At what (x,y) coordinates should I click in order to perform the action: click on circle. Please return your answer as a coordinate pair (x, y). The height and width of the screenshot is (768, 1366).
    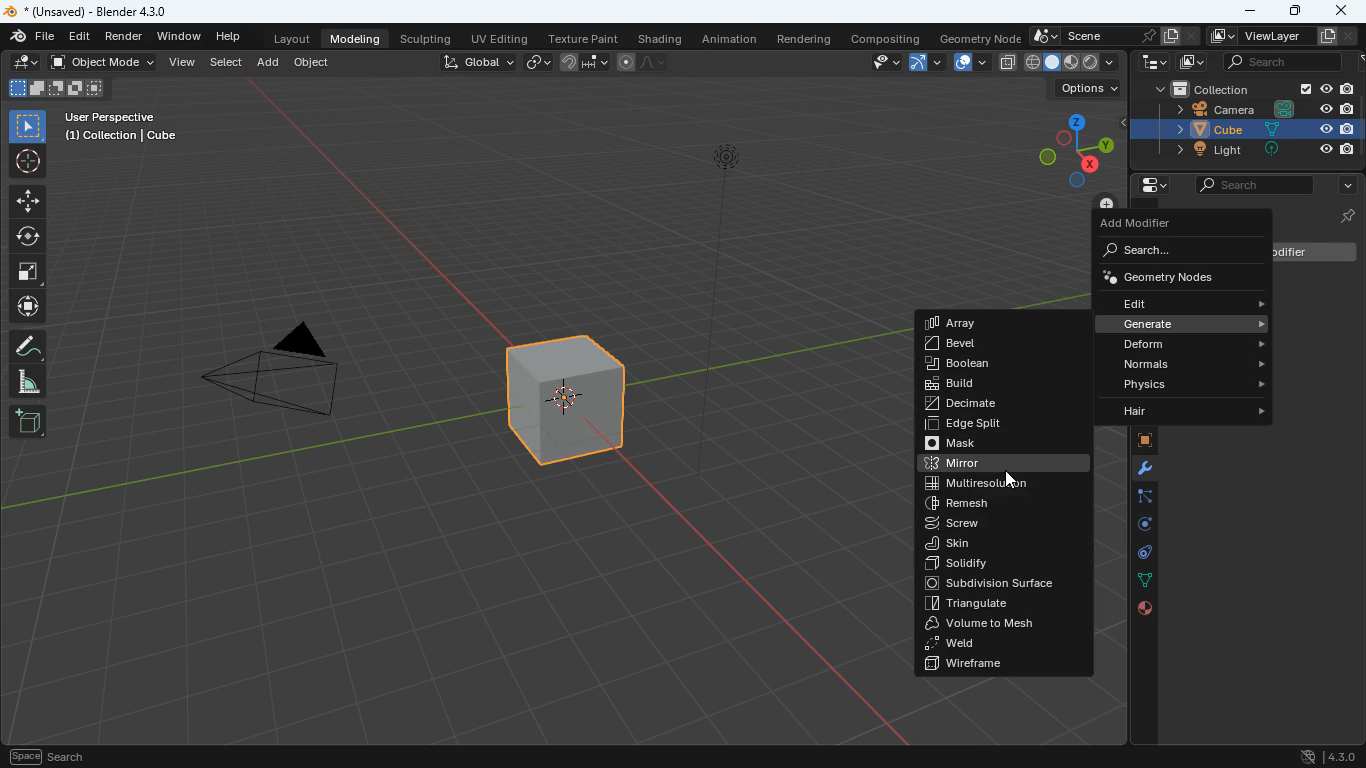
    Looking at the image, I should click on (29, 237).